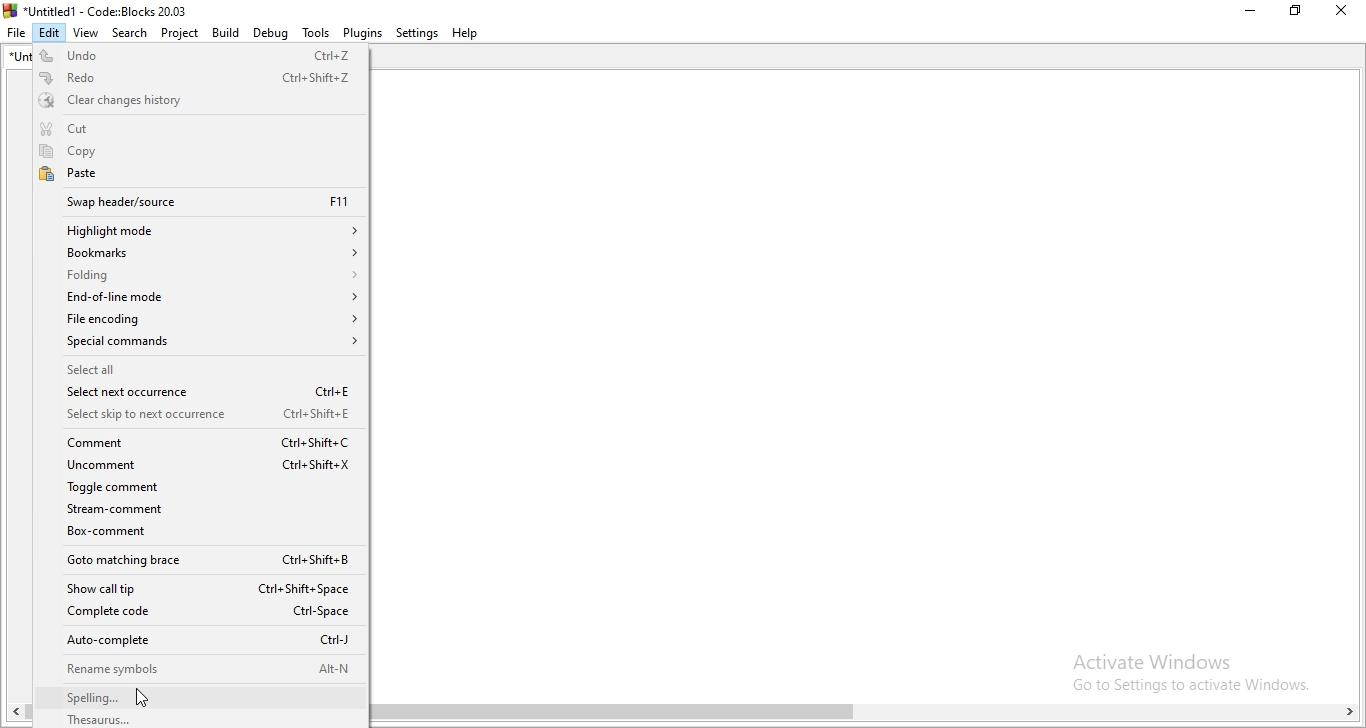  Describe the element at coordinates (205, 511) in the screenshot. I see `Stream-comment` at that location.